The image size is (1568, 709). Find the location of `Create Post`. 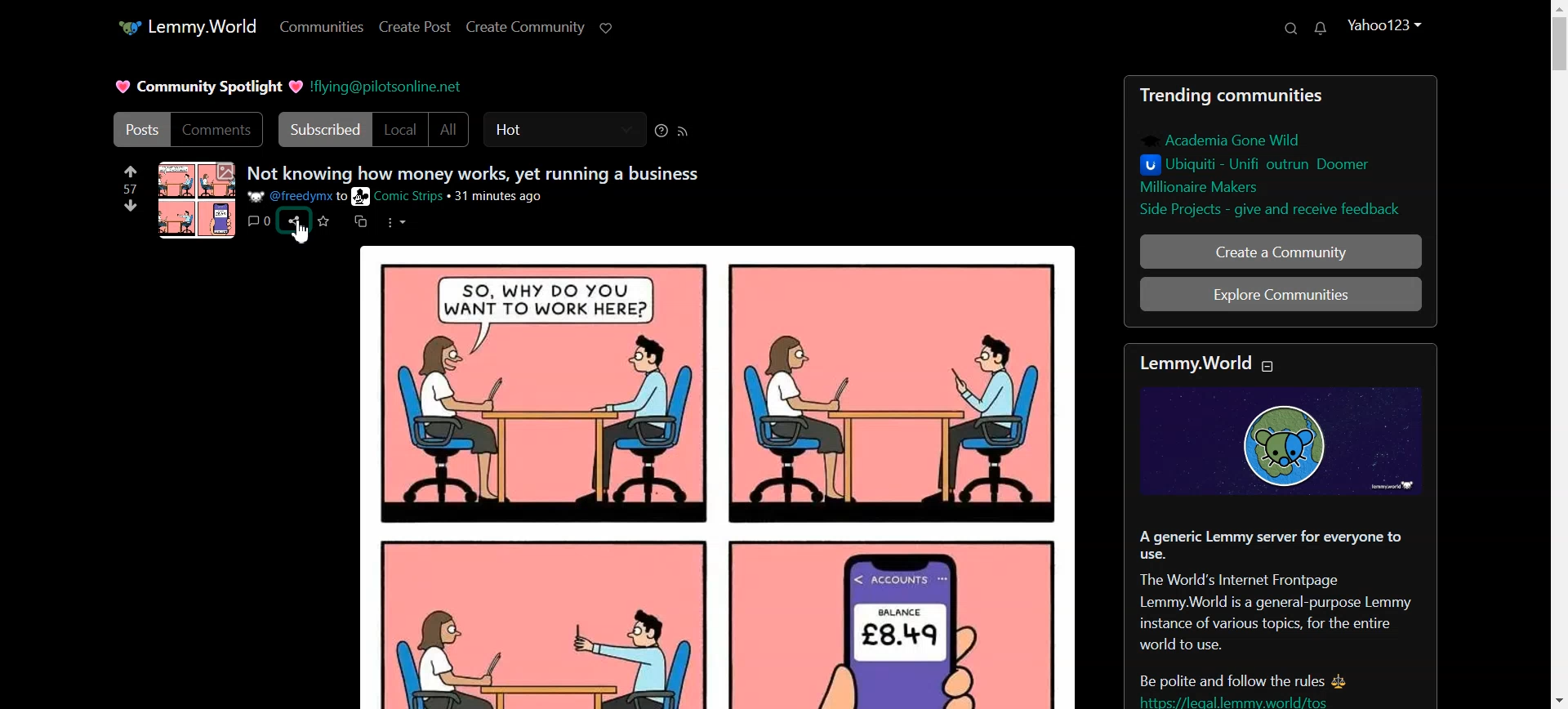

Create Post is located at coordinates (416, 26).